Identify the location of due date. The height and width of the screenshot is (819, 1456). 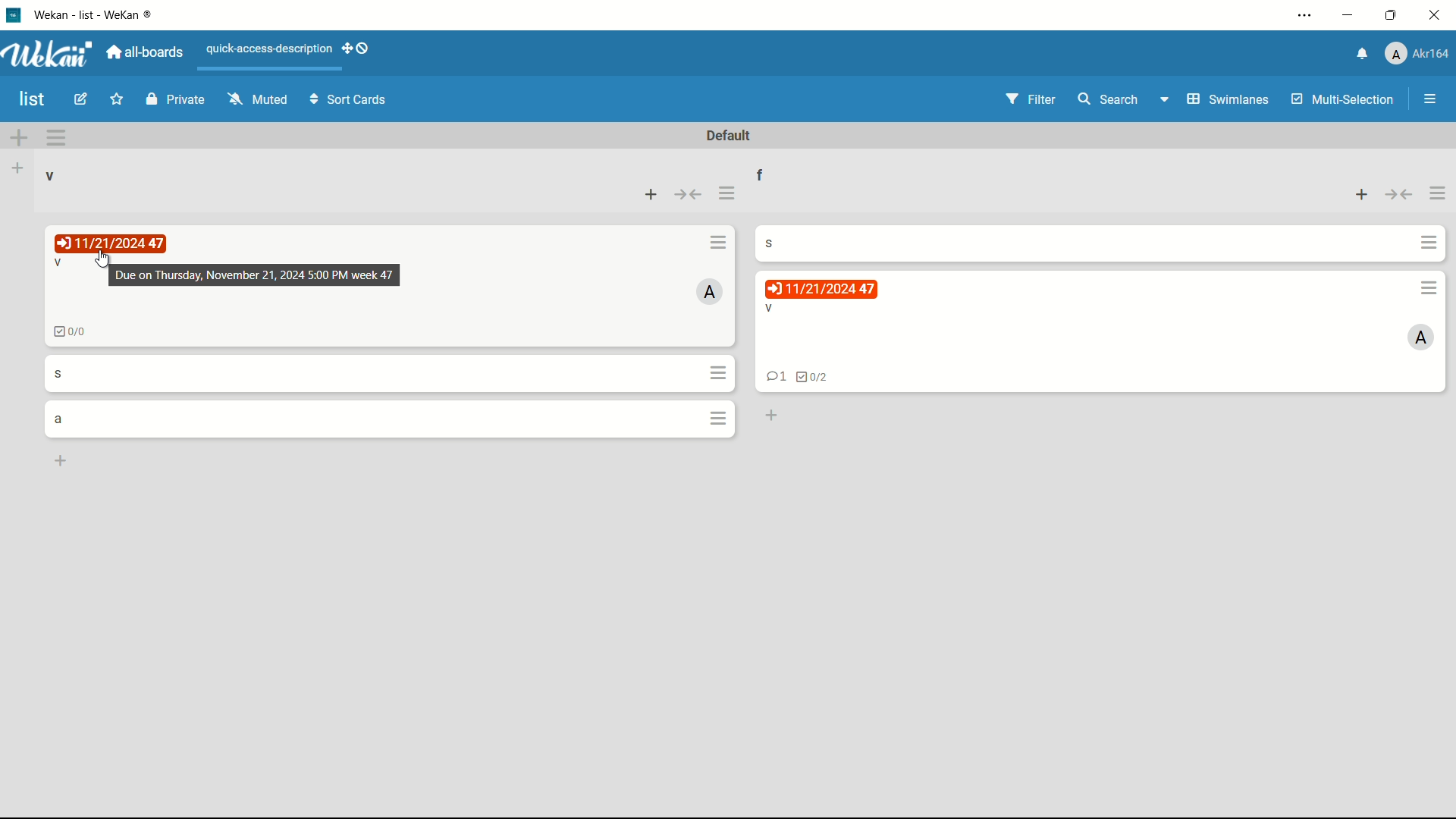
(113, 243).